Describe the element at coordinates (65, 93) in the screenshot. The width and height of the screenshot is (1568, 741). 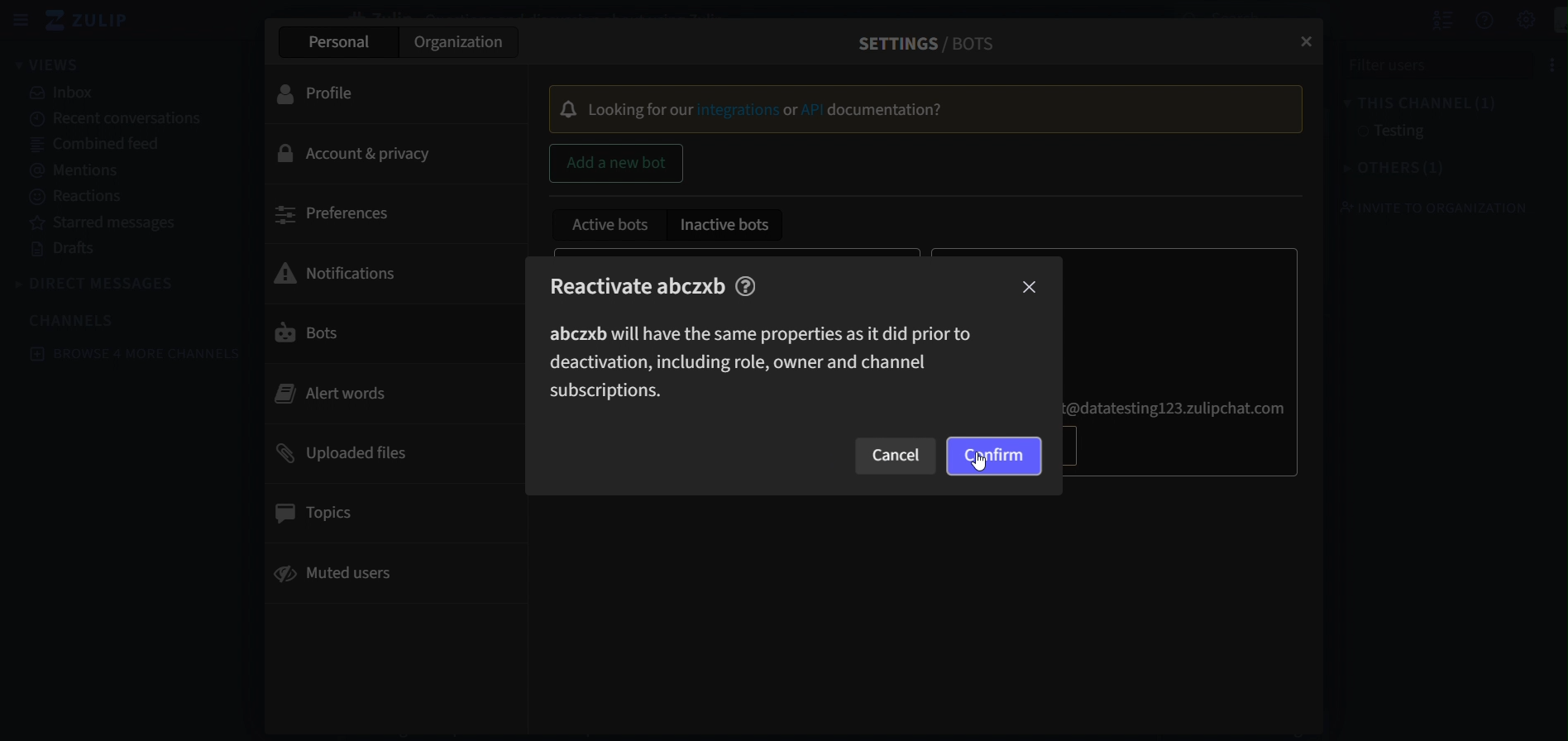
I see `inbox` at that location.